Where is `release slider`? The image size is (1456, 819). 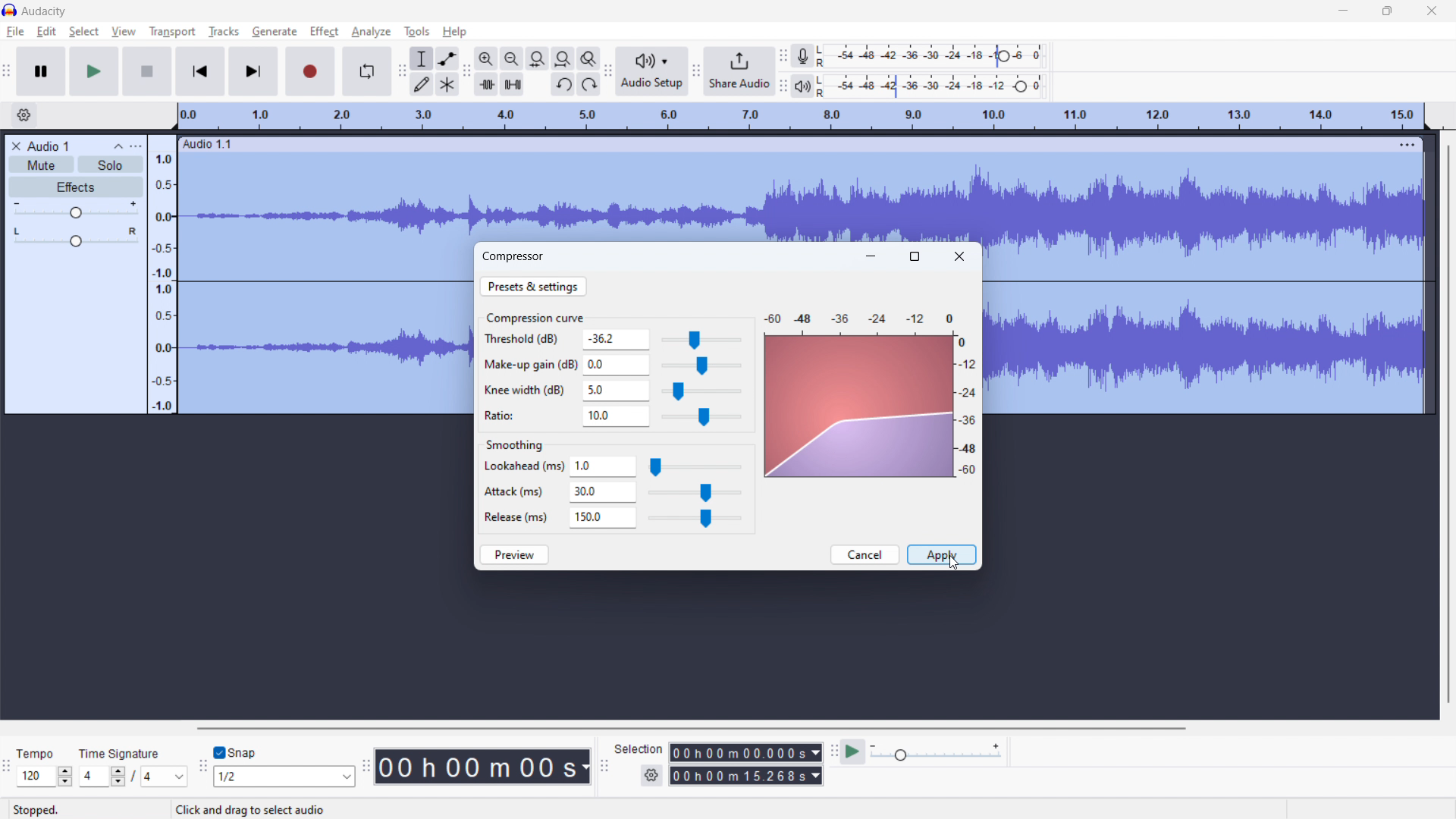 release slider is located at coordinates (694, 519).